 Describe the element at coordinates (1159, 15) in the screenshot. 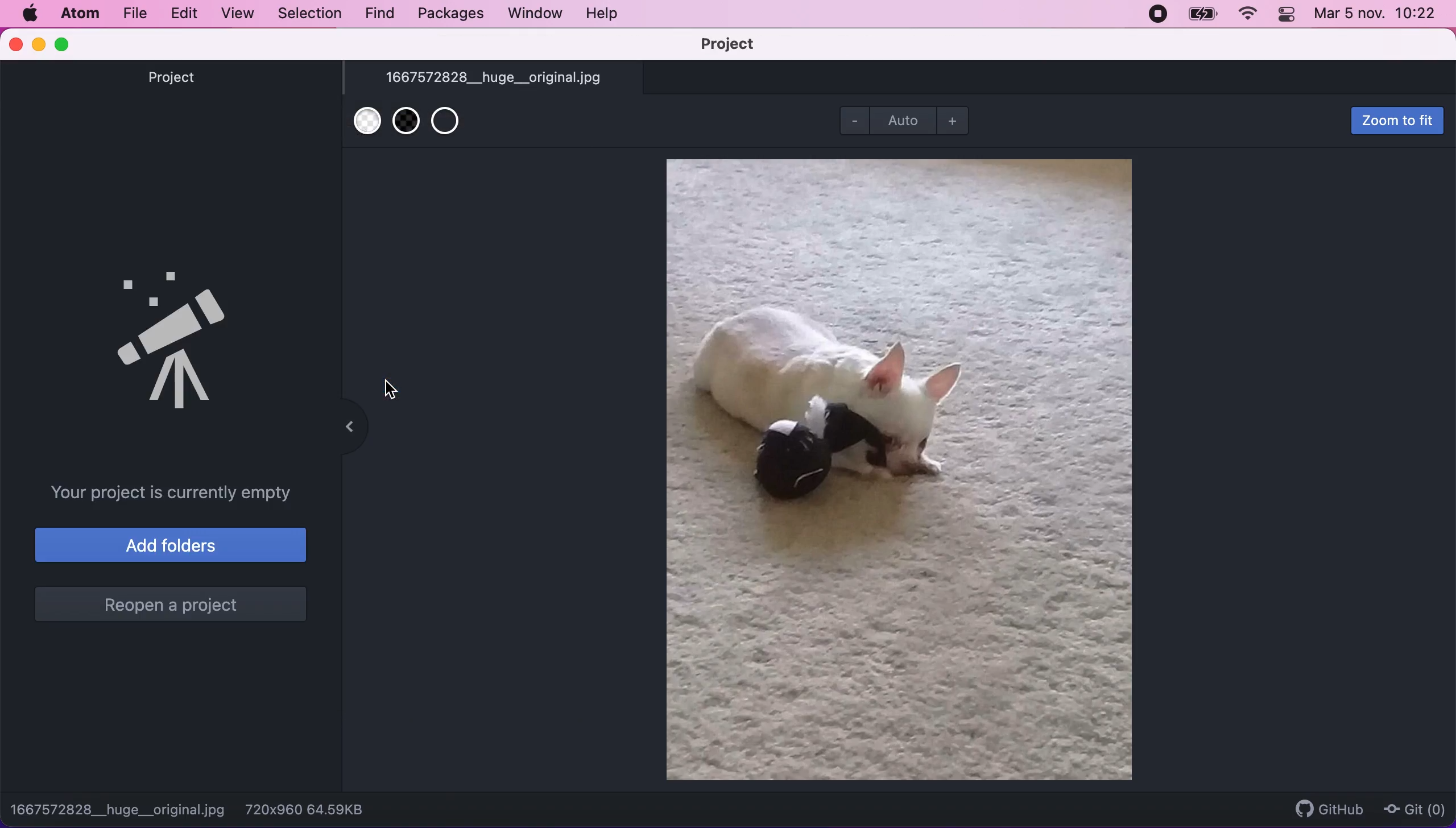

I see `recording stopped` at that location.